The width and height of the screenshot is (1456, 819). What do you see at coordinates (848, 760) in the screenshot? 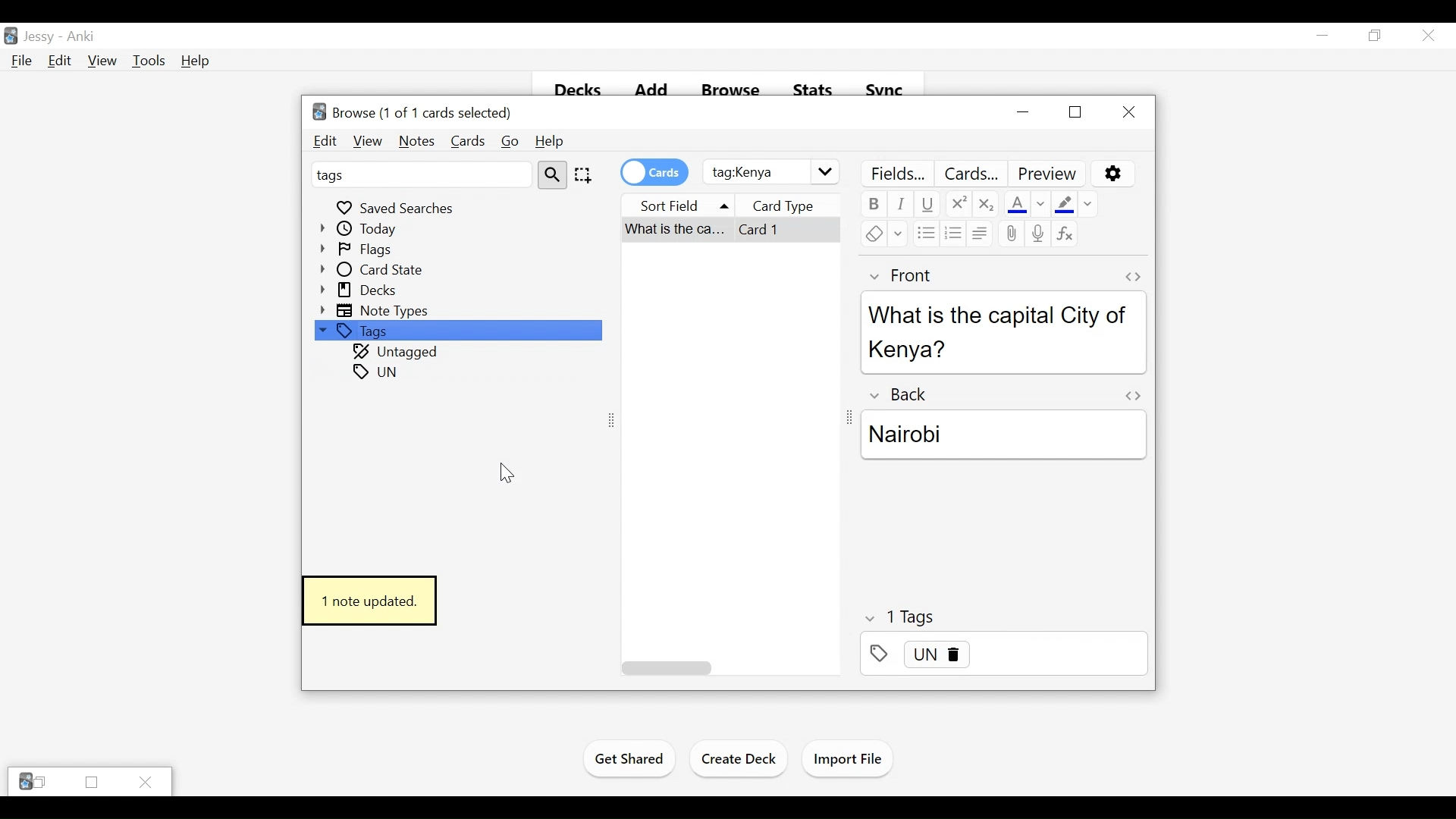
I see `Import Files` at bounding box center [848, 760].